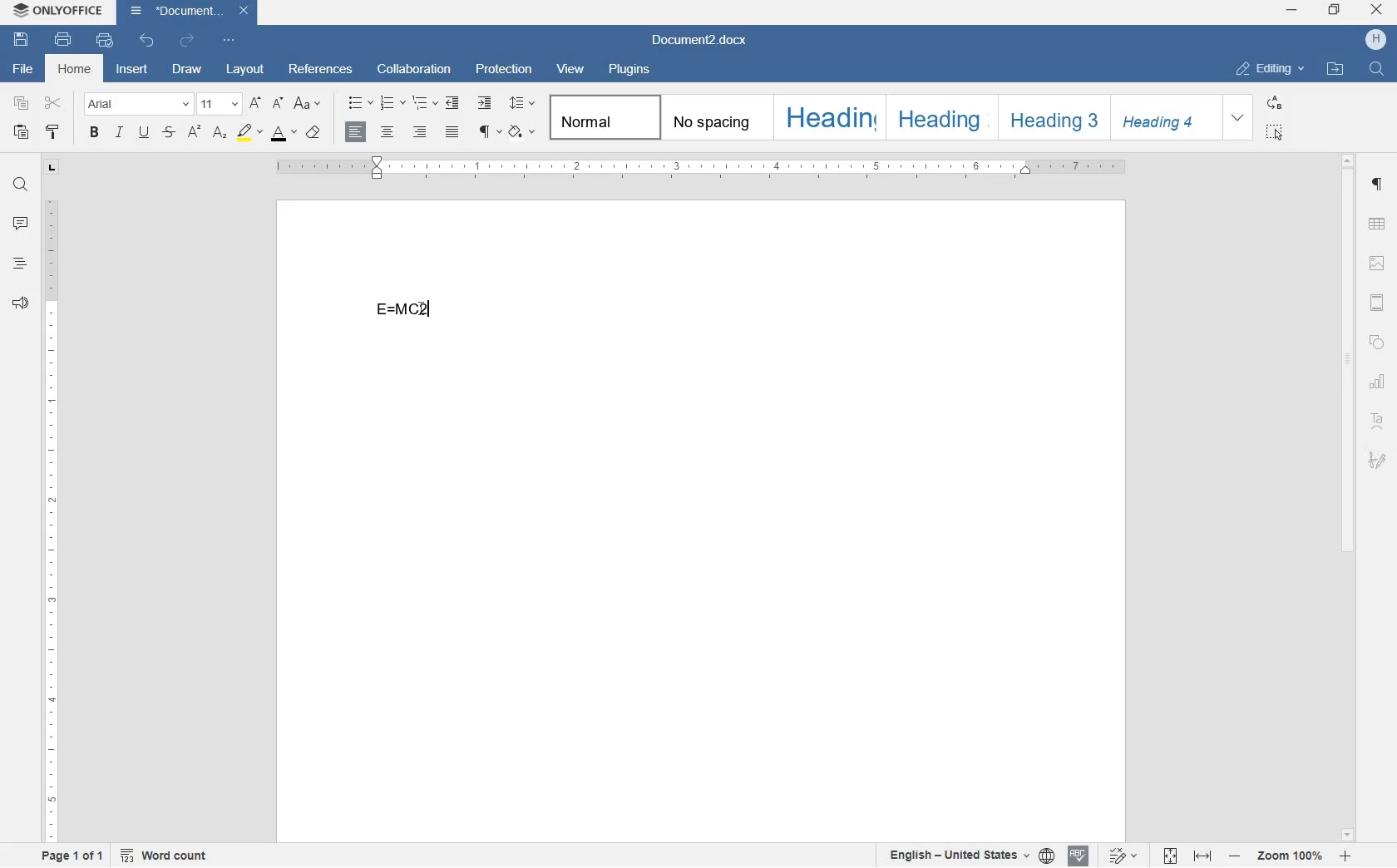 The height and width of the screenshot is (868, 1397). I want to click on decrement font size, so click(276, 103).